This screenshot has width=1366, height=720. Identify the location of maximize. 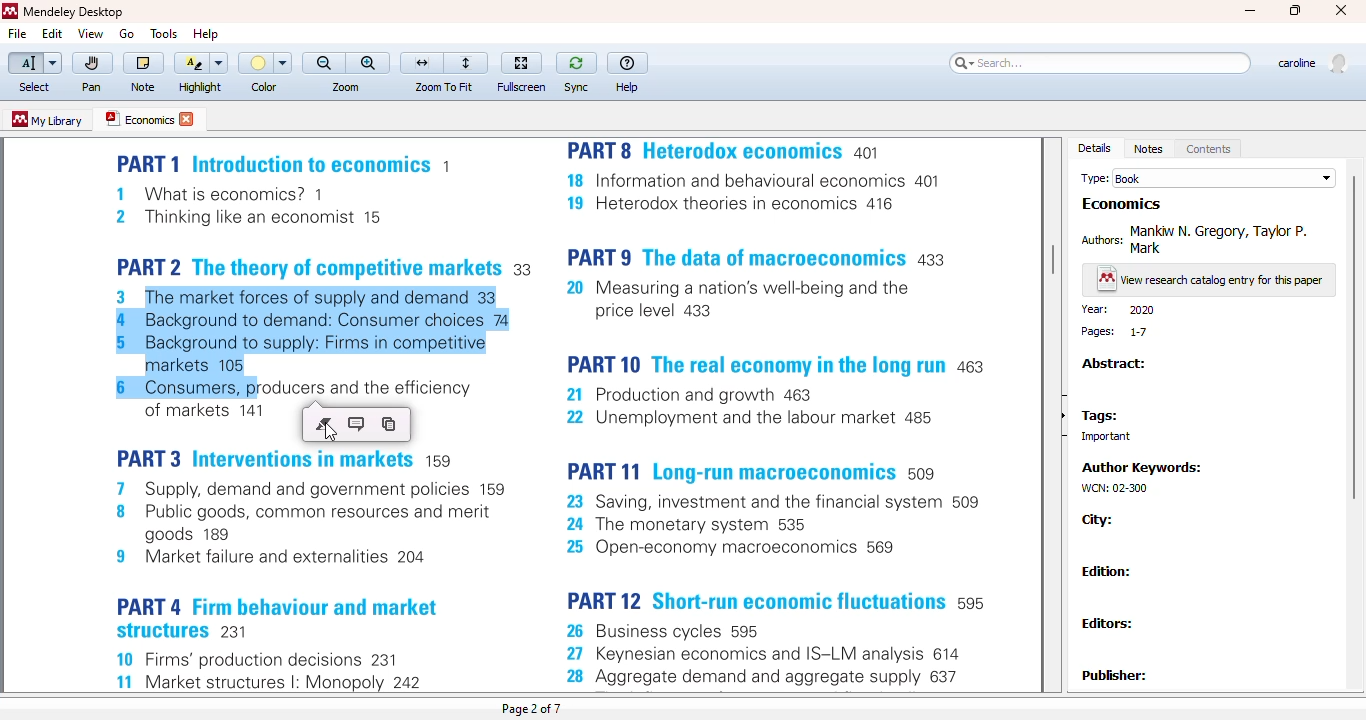
(1297, 11).